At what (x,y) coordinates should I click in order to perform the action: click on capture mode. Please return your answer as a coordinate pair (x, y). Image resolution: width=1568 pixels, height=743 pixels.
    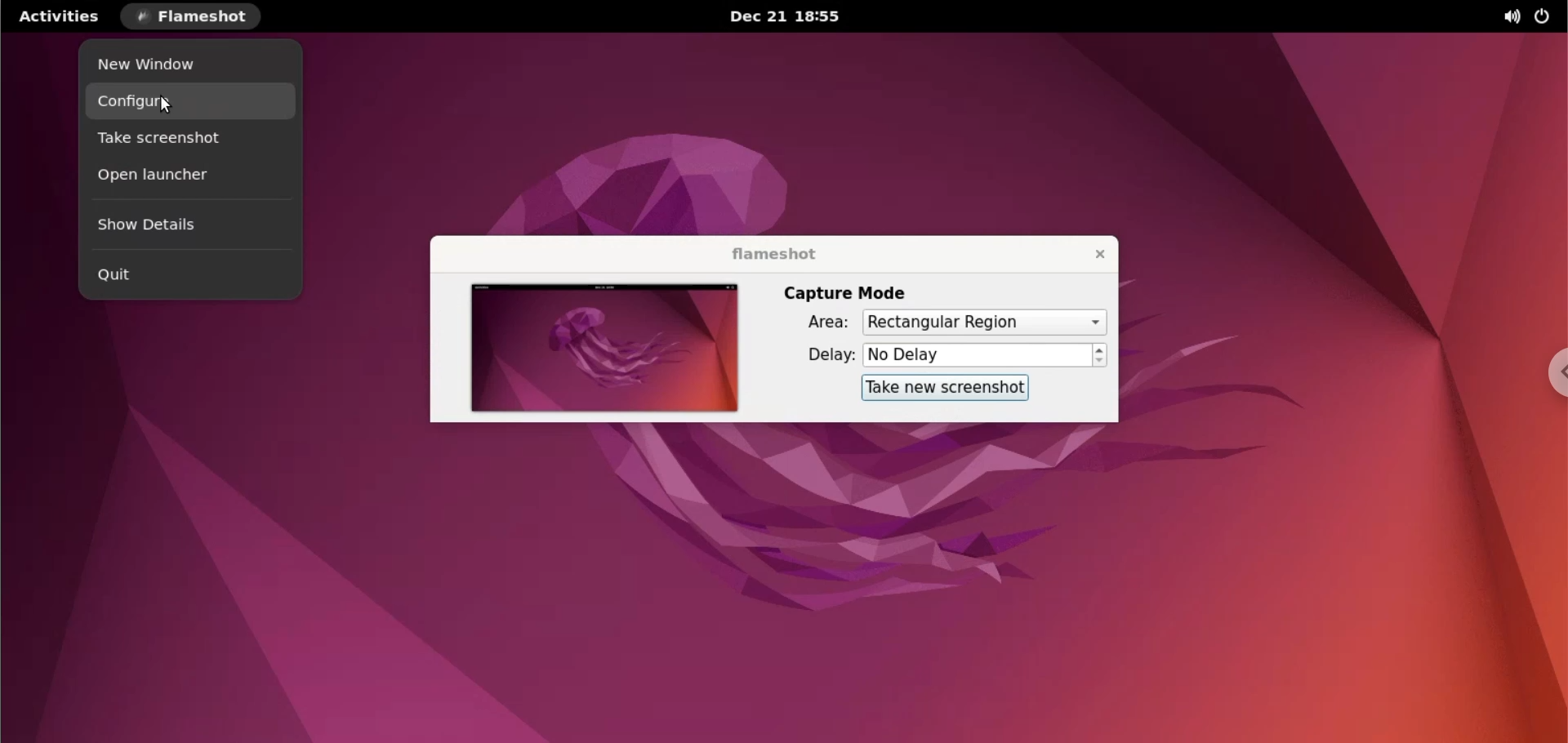
    Looking at the image, I should click on (840, 294).